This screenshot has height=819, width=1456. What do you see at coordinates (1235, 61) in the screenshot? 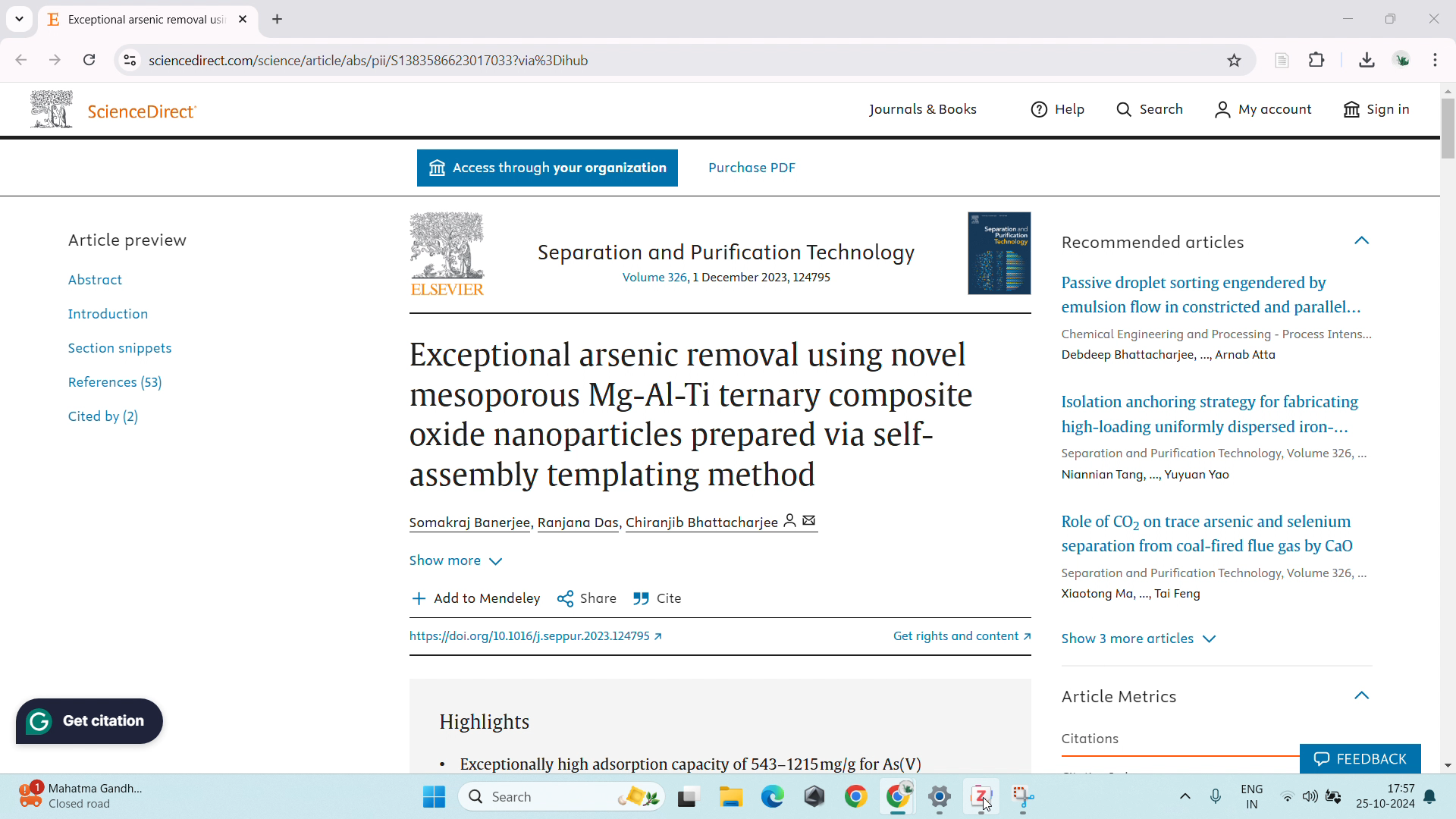
I see `bookmark this tab` at bounding box center [1235, 61].